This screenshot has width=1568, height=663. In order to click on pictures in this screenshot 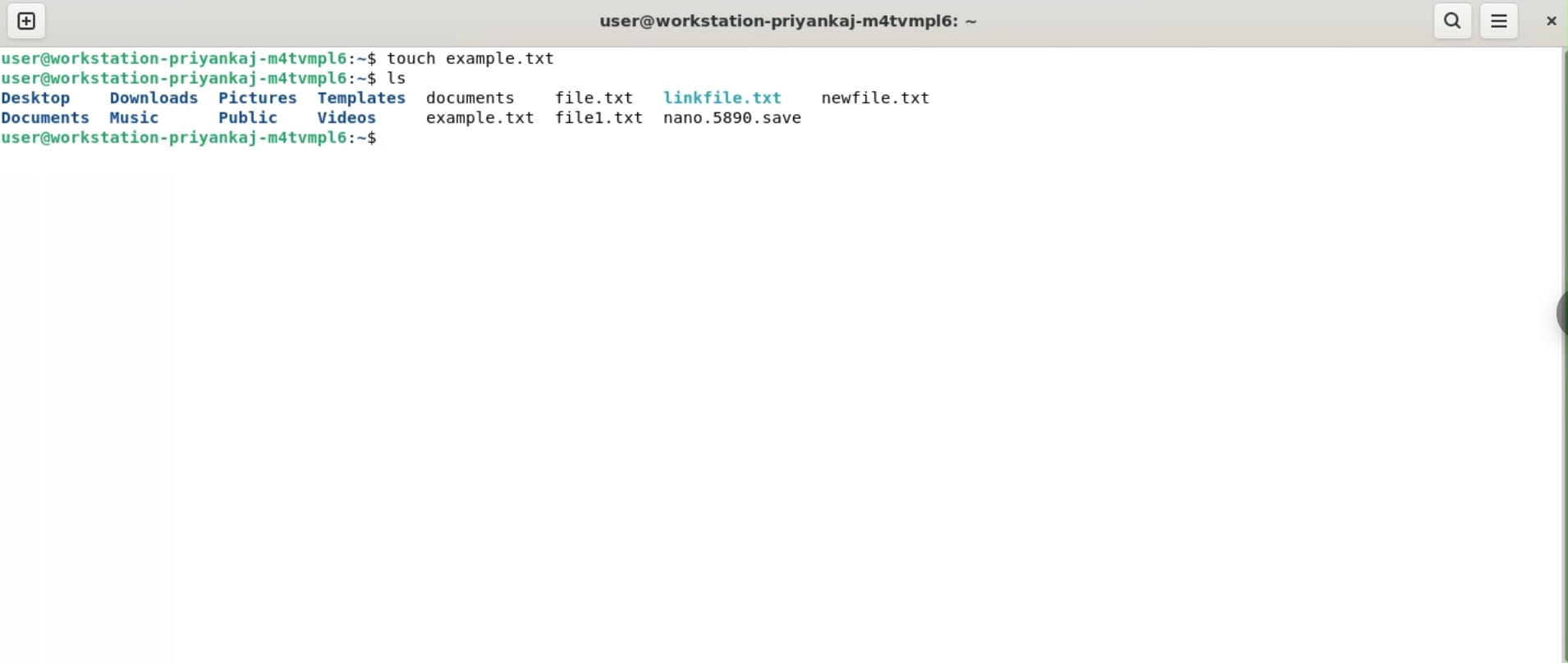, I will do `click(260, 97)`.